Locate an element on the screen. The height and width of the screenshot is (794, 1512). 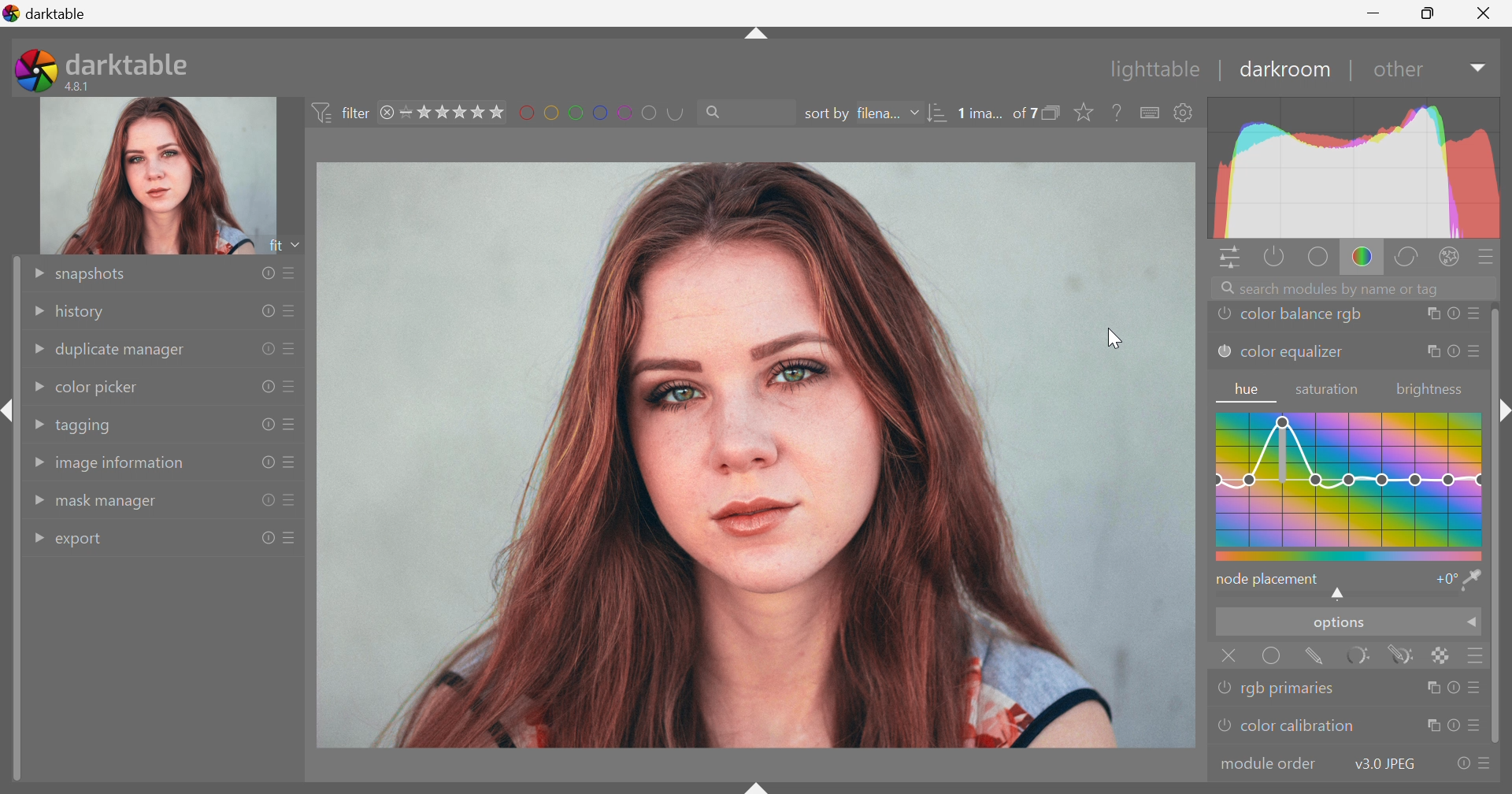
'color balance rgb' is switched off is located at coordinates (1225, 316).